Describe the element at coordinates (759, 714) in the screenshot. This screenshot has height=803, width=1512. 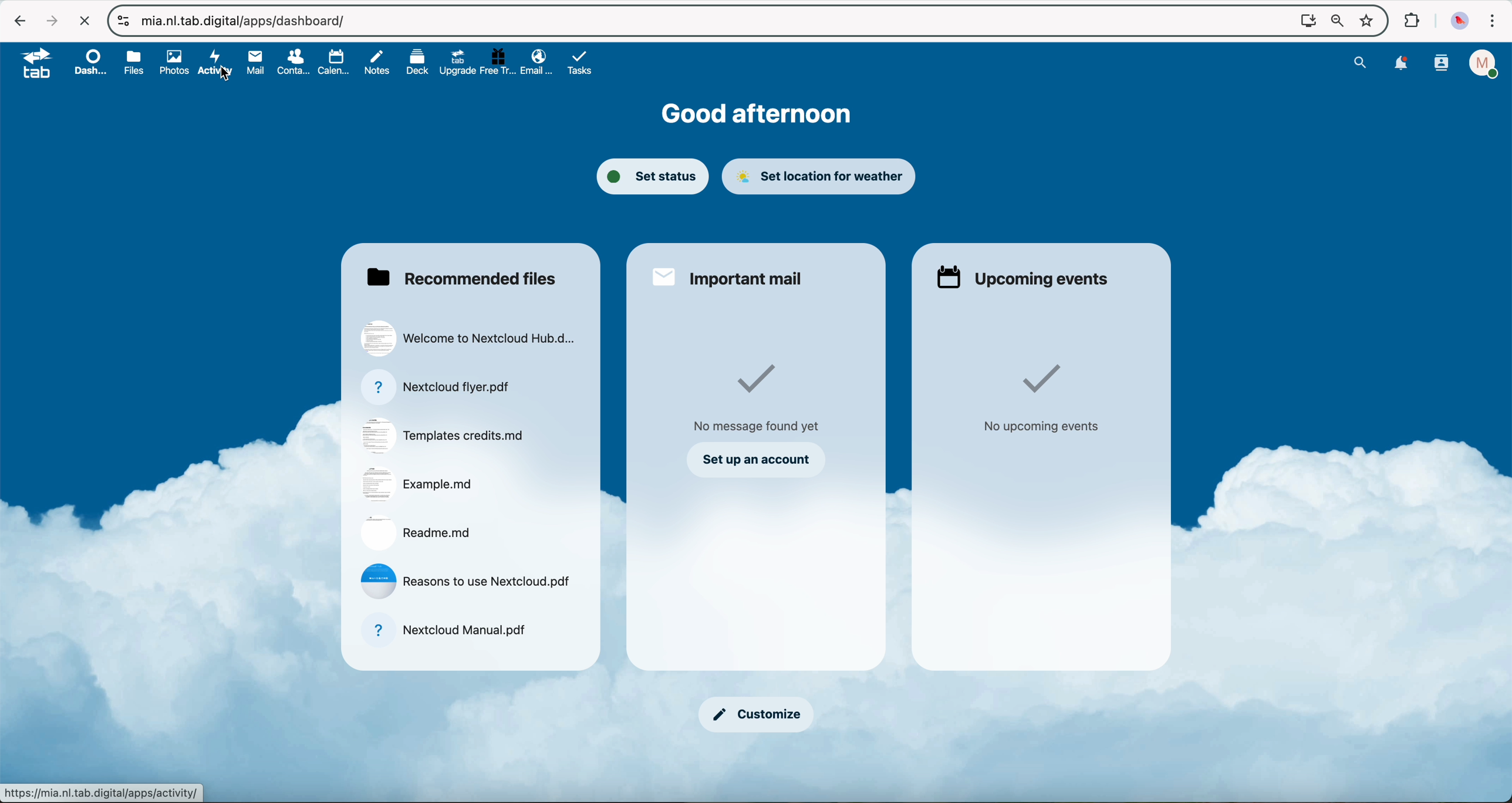
I see `customize button` at that location.